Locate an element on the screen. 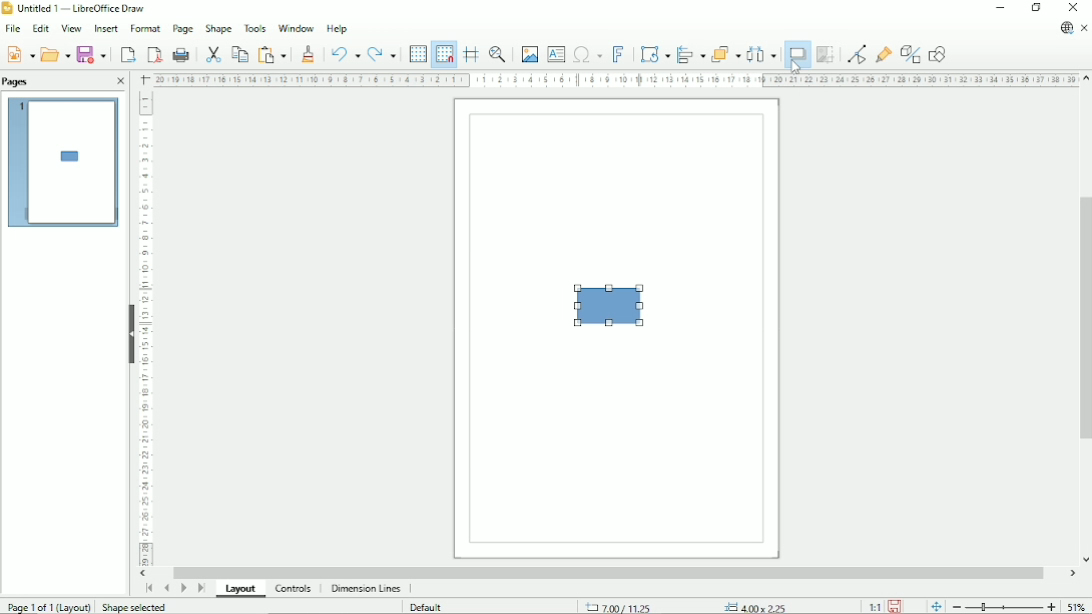 The height and width of the screenshot is (614, 1092). Tools is located at coordinates (255, 28).